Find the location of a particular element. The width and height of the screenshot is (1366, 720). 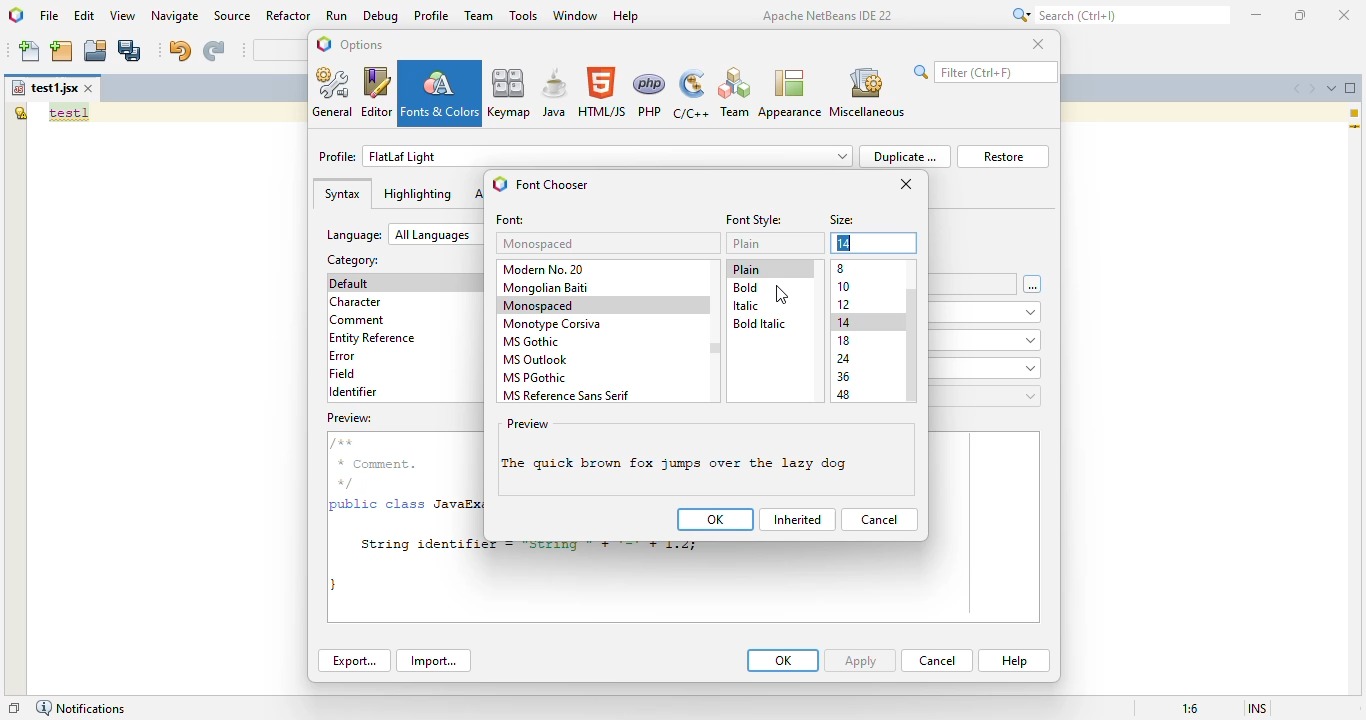

help is located at coordinates (1014, 661).